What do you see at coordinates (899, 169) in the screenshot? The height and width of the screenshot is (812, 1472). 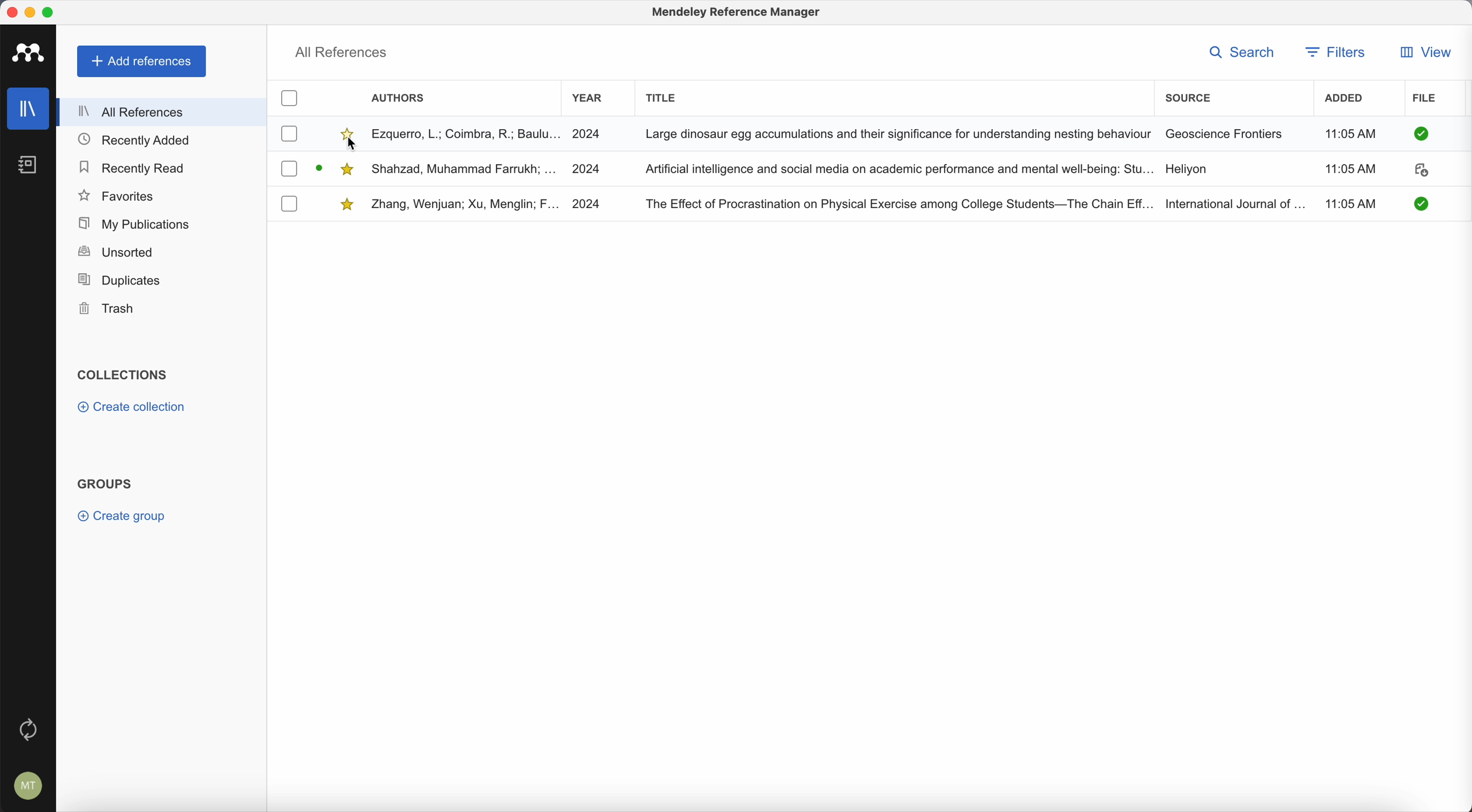 I see `Artificial Intelligence and social media on academic performance and mental well-being` at bounding box center [899, 169].